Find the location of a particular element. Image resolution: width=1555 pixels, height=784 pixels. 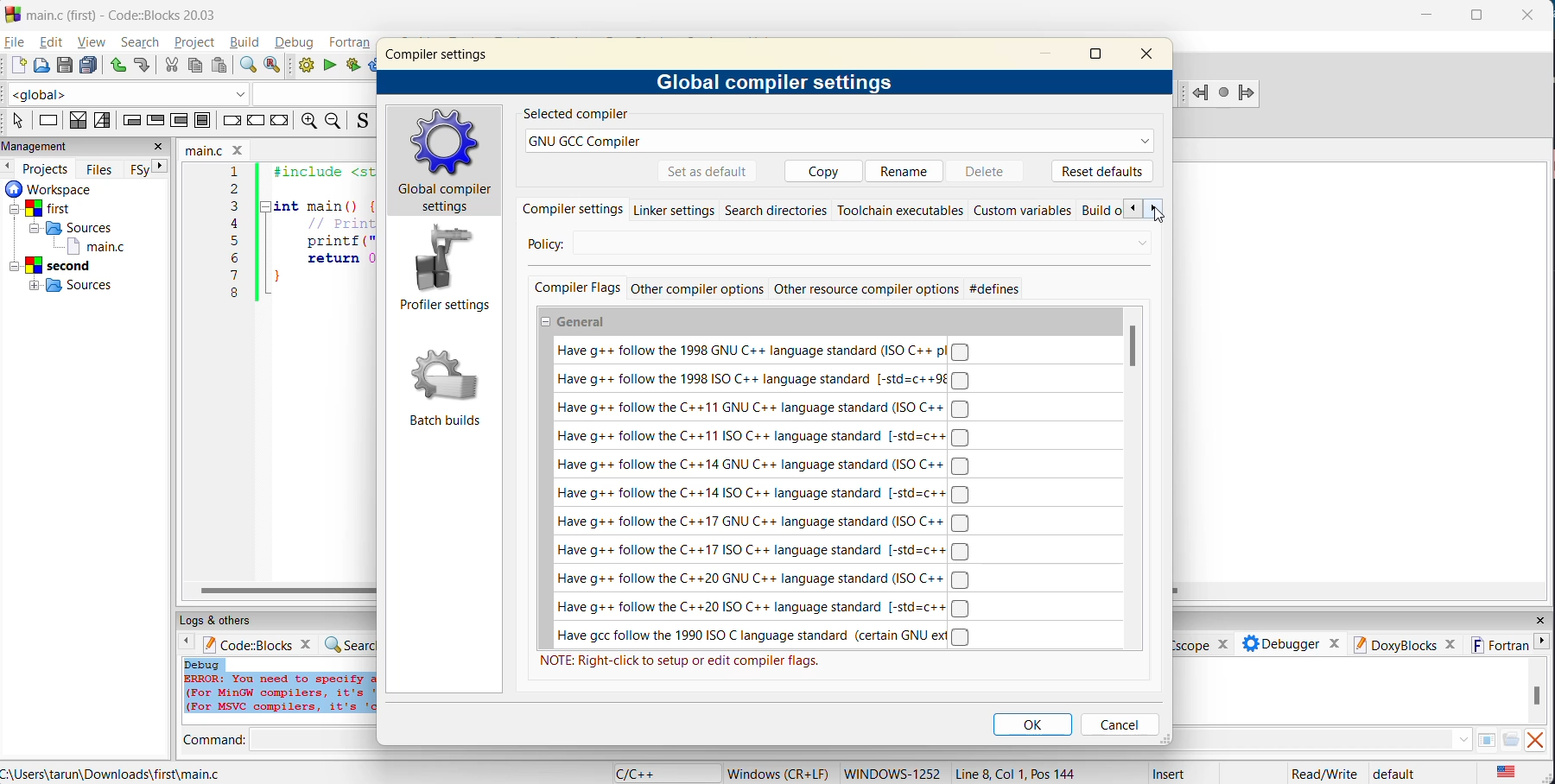

Have g++ follow the C++20 GNU C++ language standard (ISO C++ is located at coordinates (764, 579).